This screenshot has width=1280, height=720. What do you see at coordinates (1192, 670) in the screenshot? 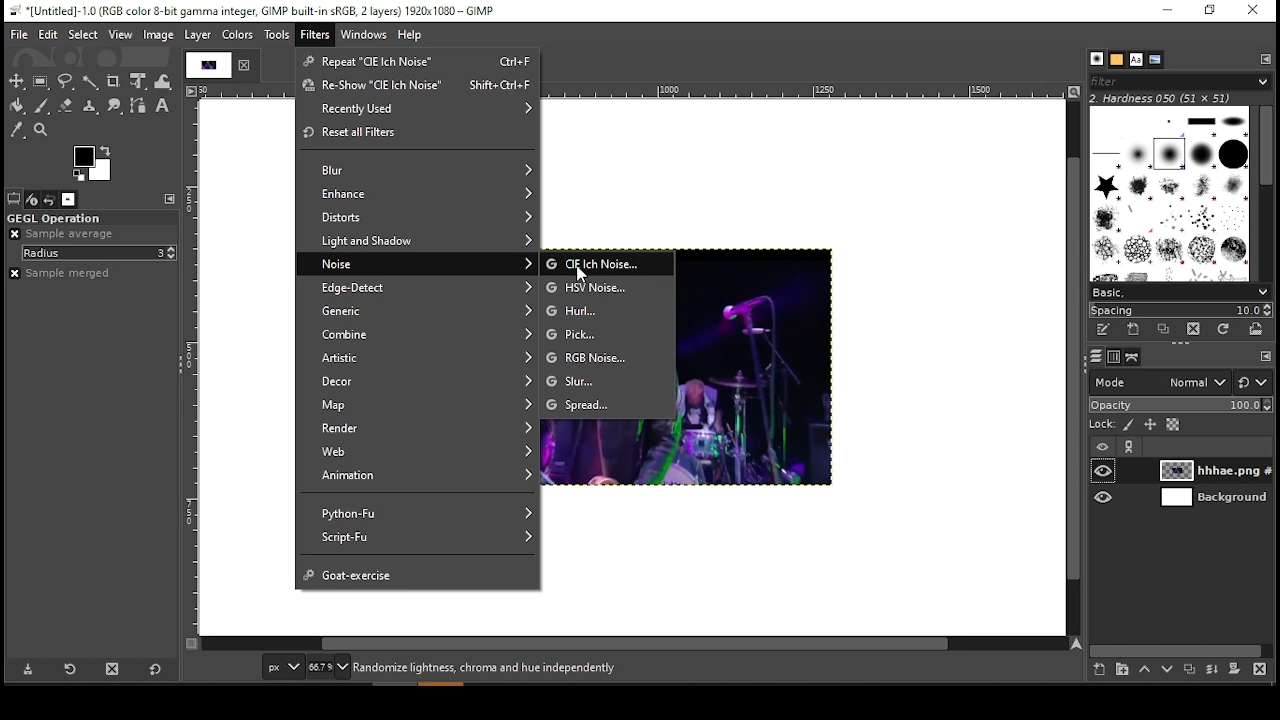
I see `duplicate layer` at bounding box center [1192, 670].